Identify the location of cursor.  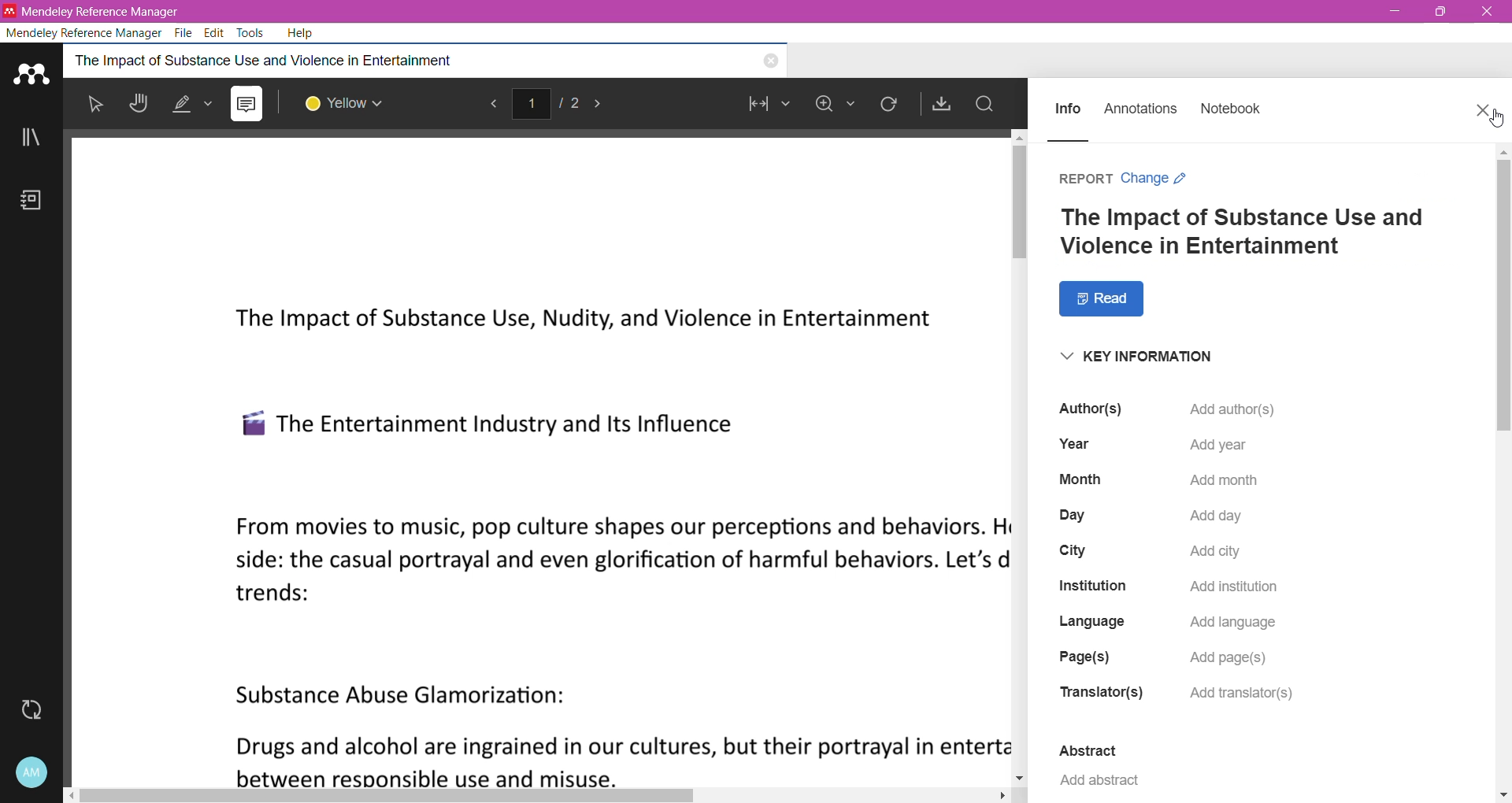
(1492, 118).